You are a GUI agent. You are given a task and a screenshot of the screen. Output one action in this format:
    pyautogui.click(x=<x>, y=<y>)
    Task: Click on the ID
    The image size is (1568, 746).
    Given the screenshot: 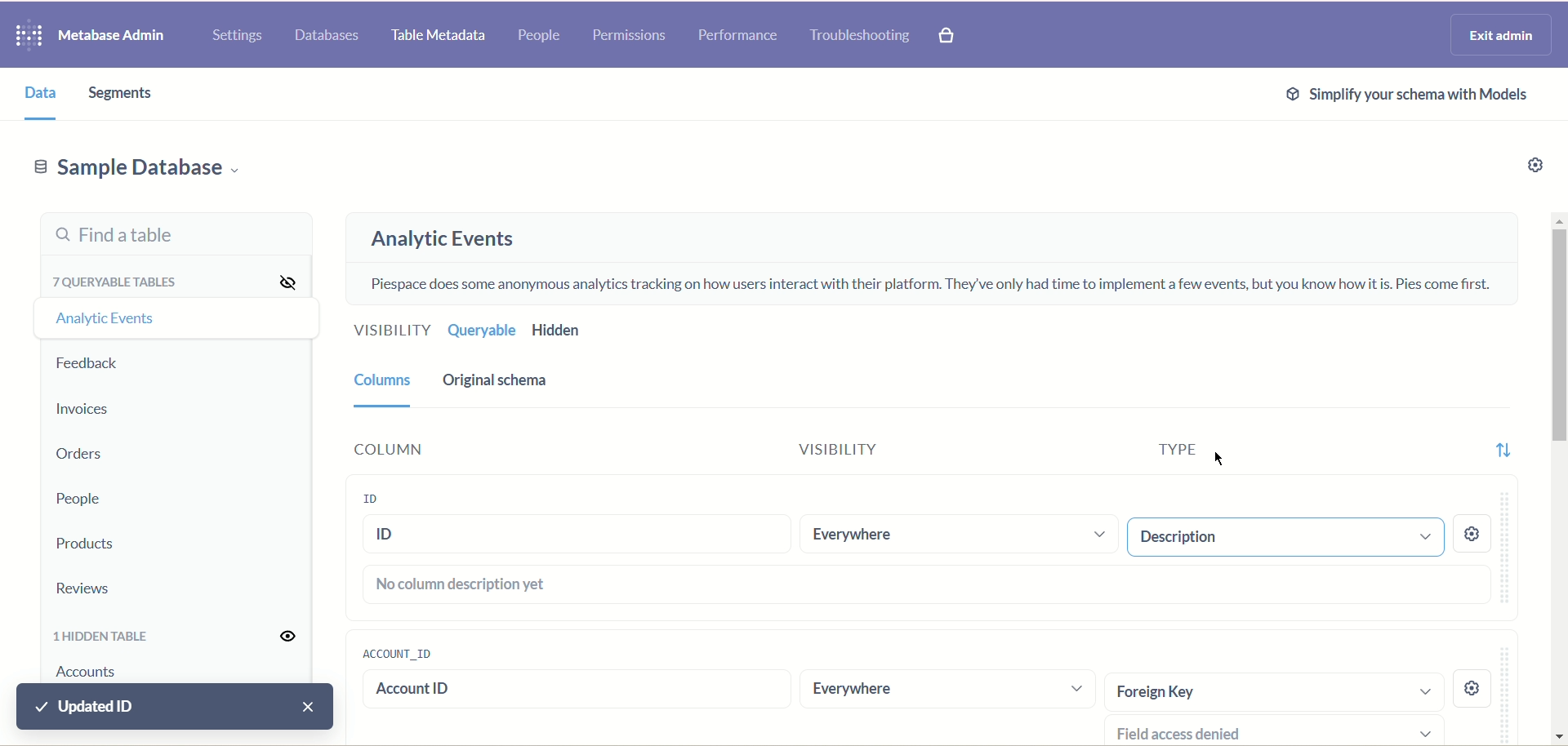 What is the action you would take?
    pyautogui.click(x=367, y=501)
    